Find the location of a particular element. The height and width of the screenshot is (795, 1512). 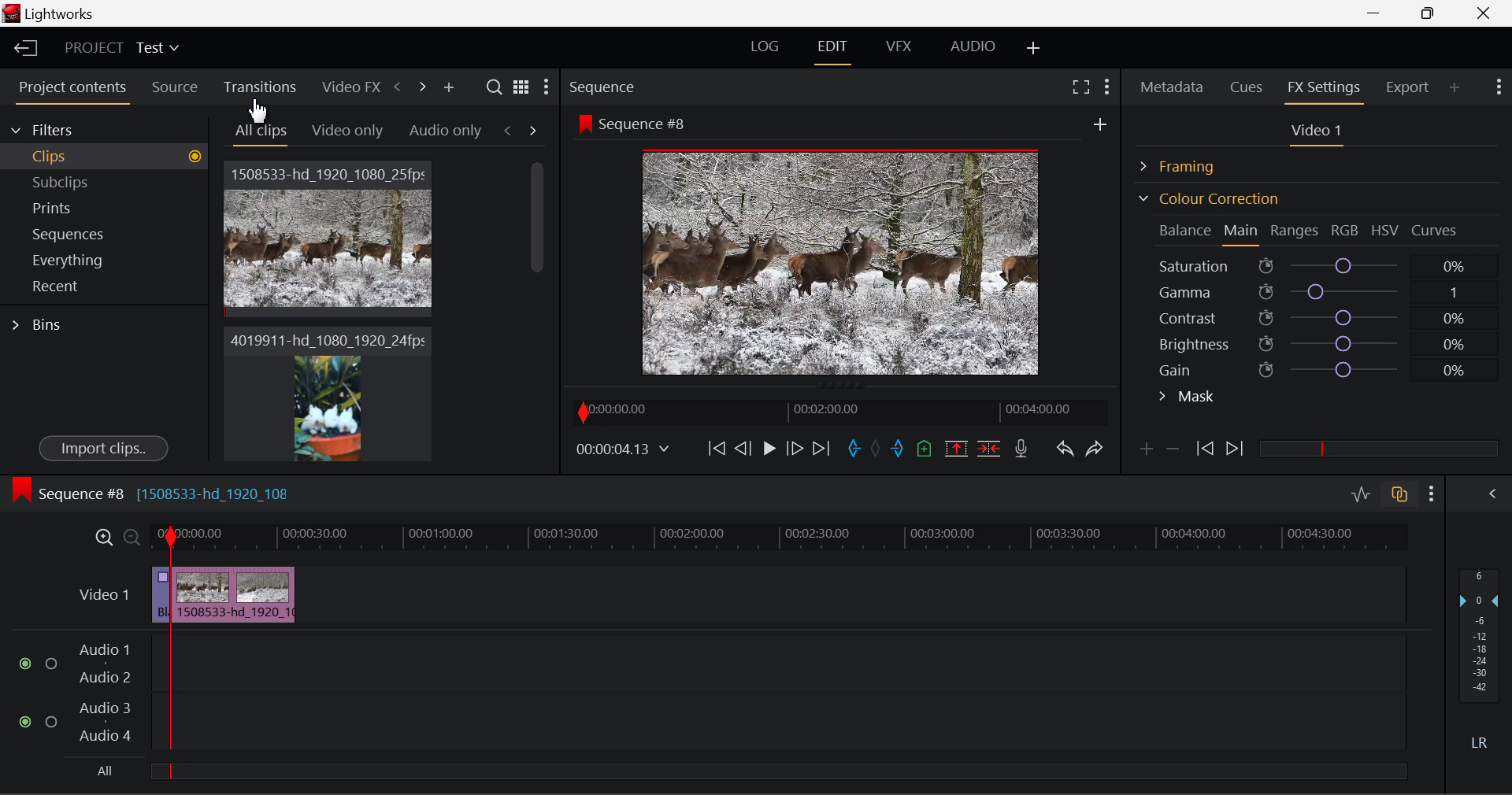

HSV is located at coordinates (1385, 230).